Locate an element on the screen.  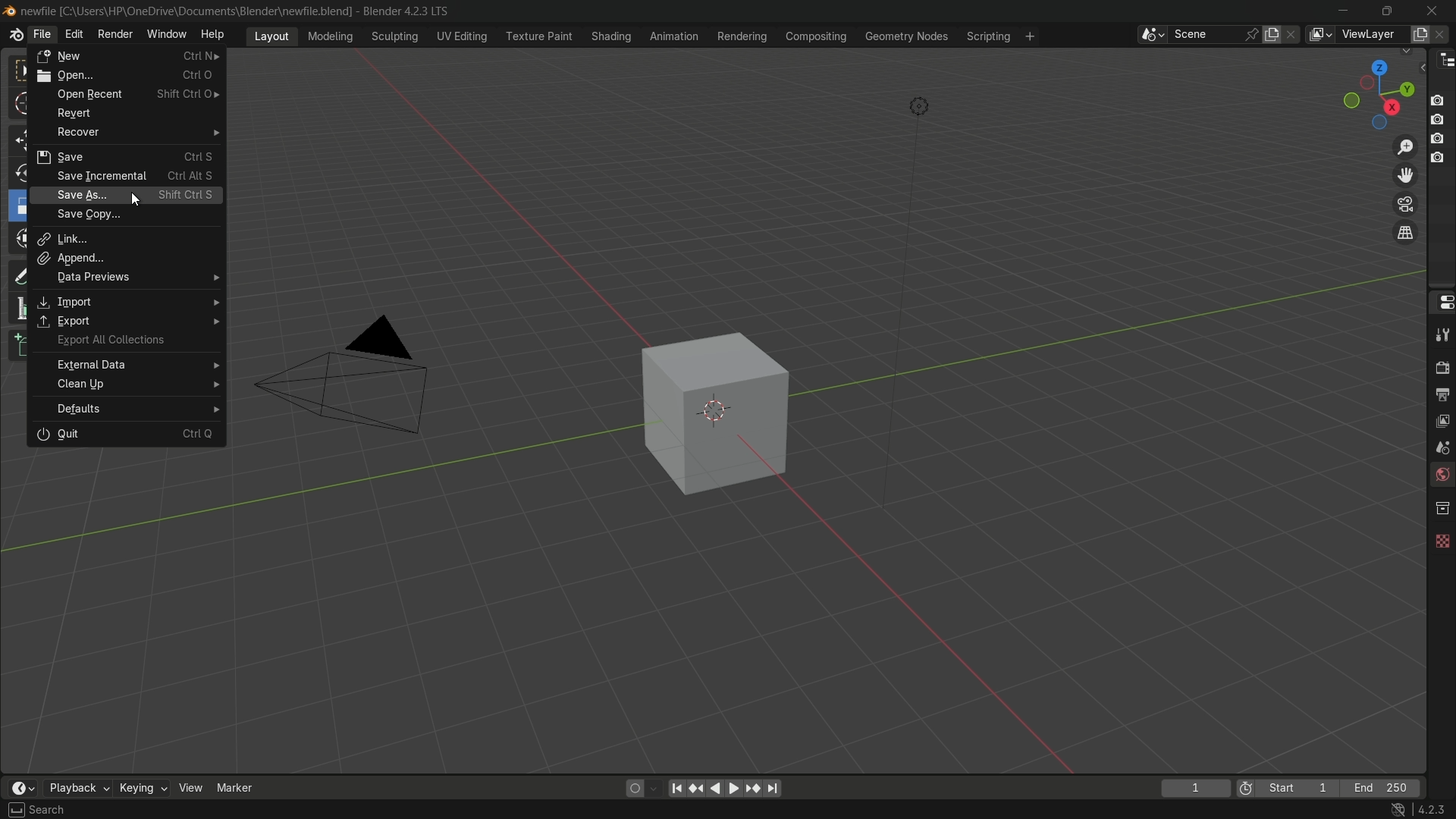
output is located at coordinates (1442, 394).